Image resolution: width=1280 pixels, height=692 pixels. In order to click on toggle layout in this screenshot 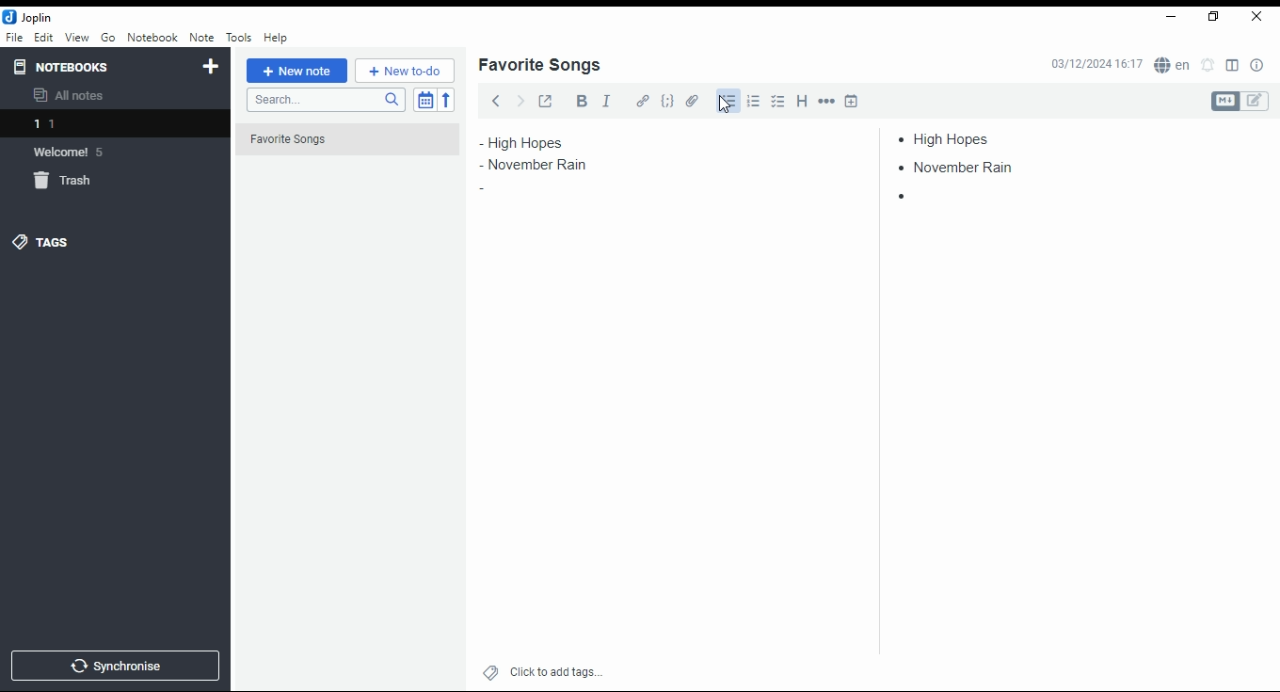, I will do `click(1233, 66)`.